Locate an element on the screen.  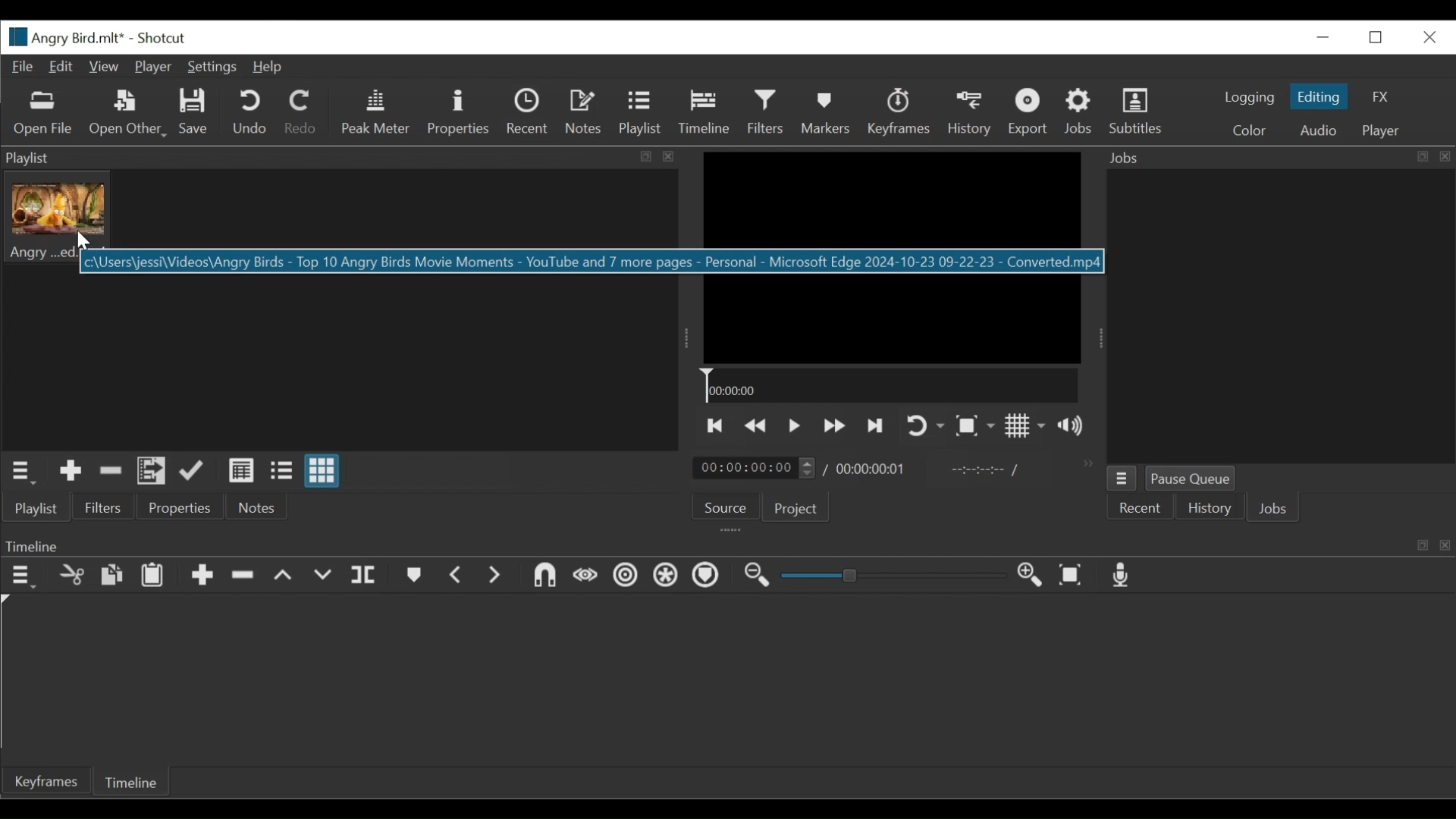
Timeline is located at coordinates (704, 111).